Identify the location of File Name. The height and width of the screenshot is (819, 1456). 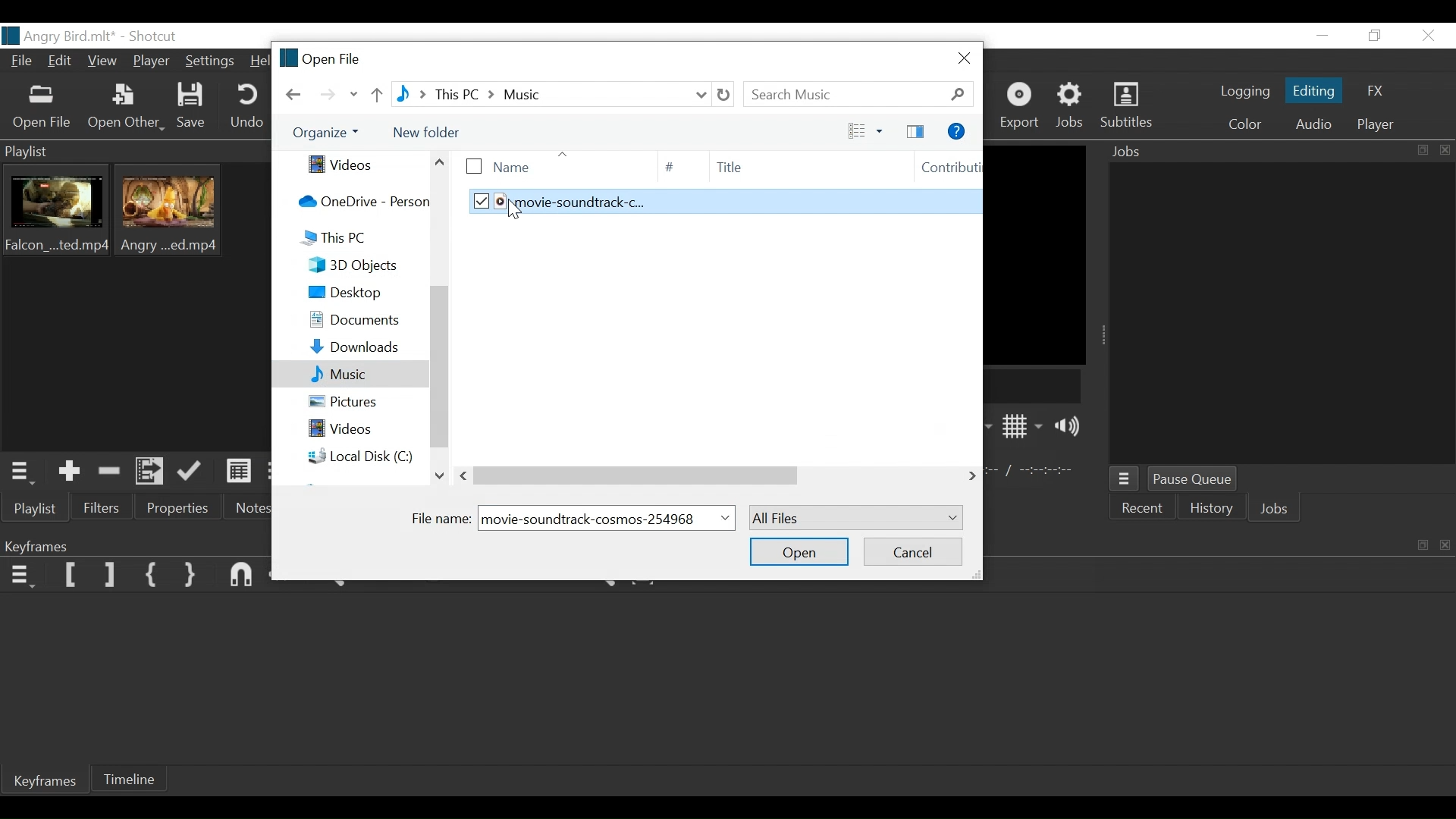
(59, 35).